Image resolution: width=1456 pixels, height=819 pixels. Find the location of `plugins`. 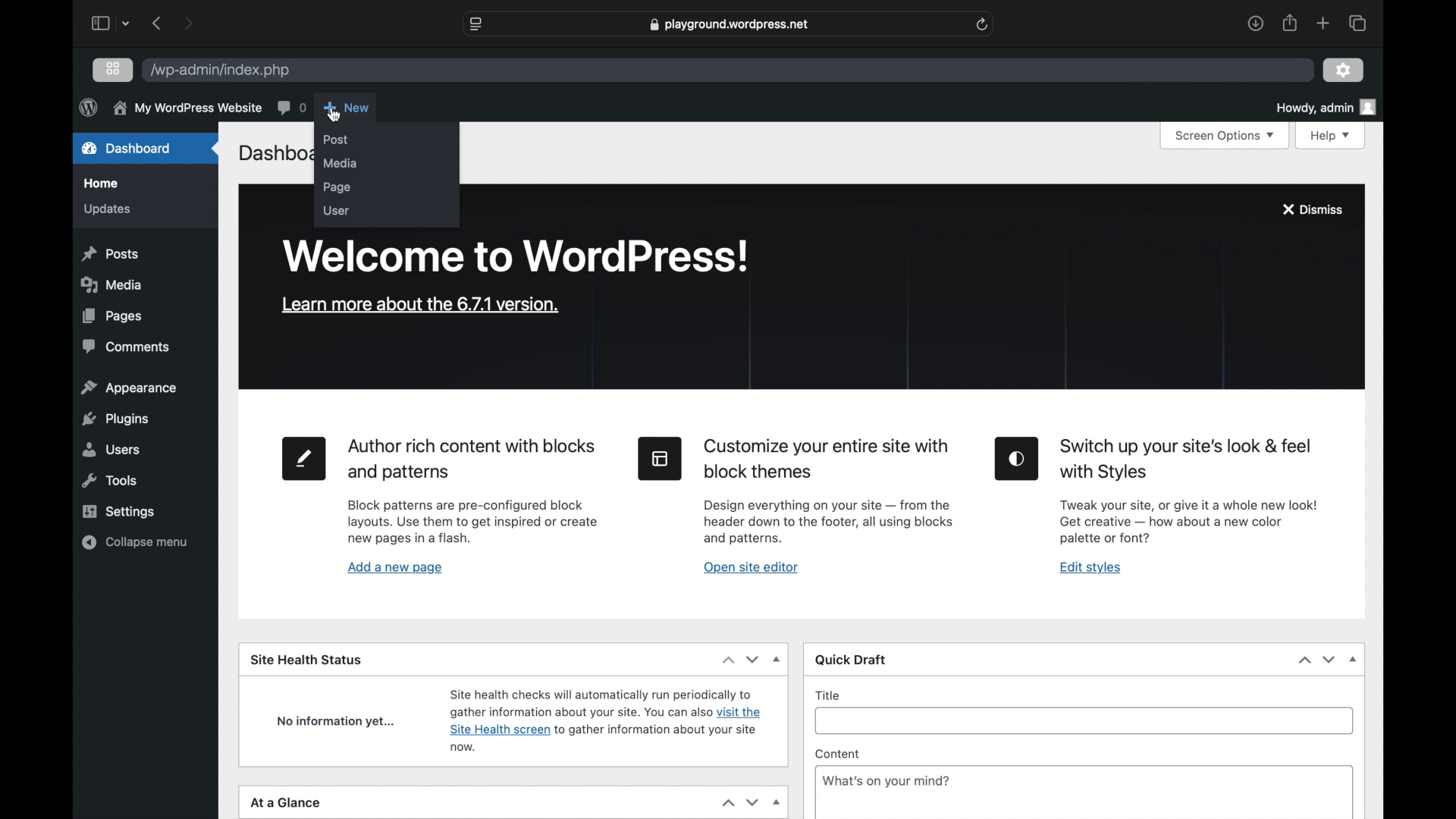

plugins is located at coordinates (117, 420).